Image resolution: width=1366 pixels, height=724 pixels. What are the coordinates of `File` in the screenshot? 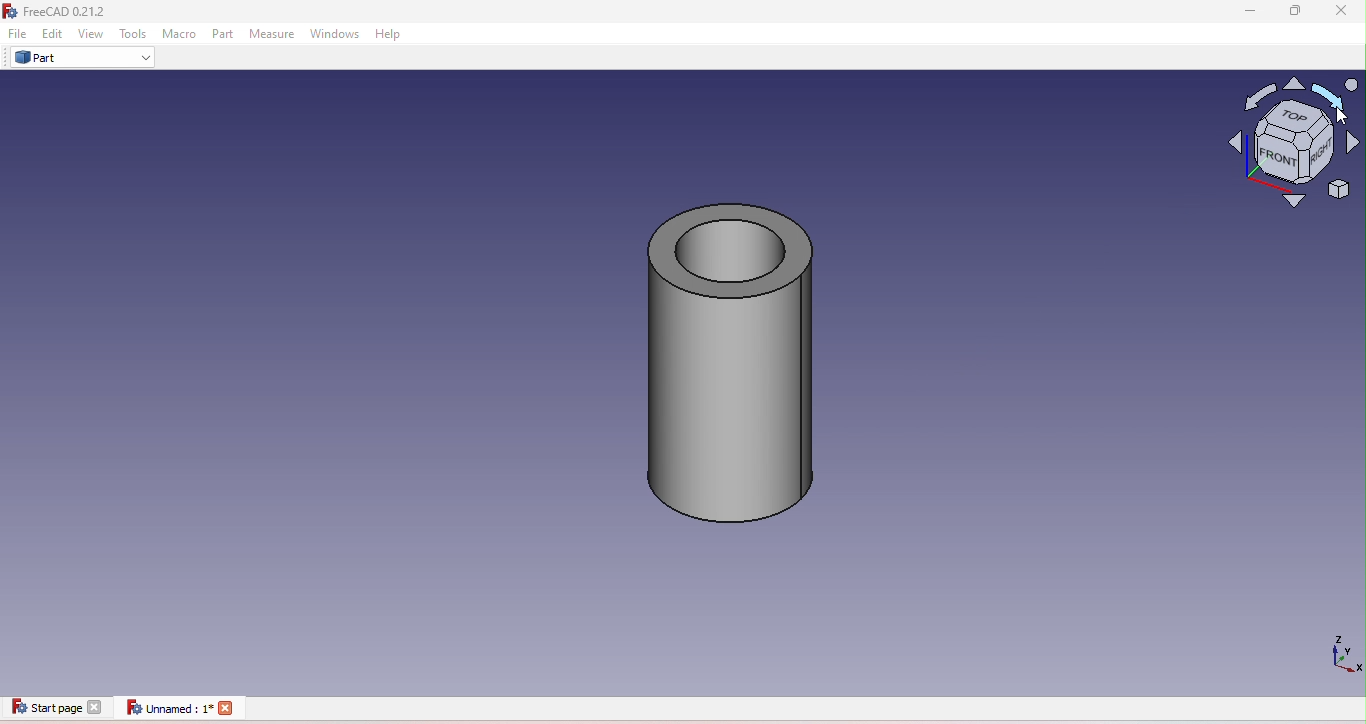 It's located at (17, 33).